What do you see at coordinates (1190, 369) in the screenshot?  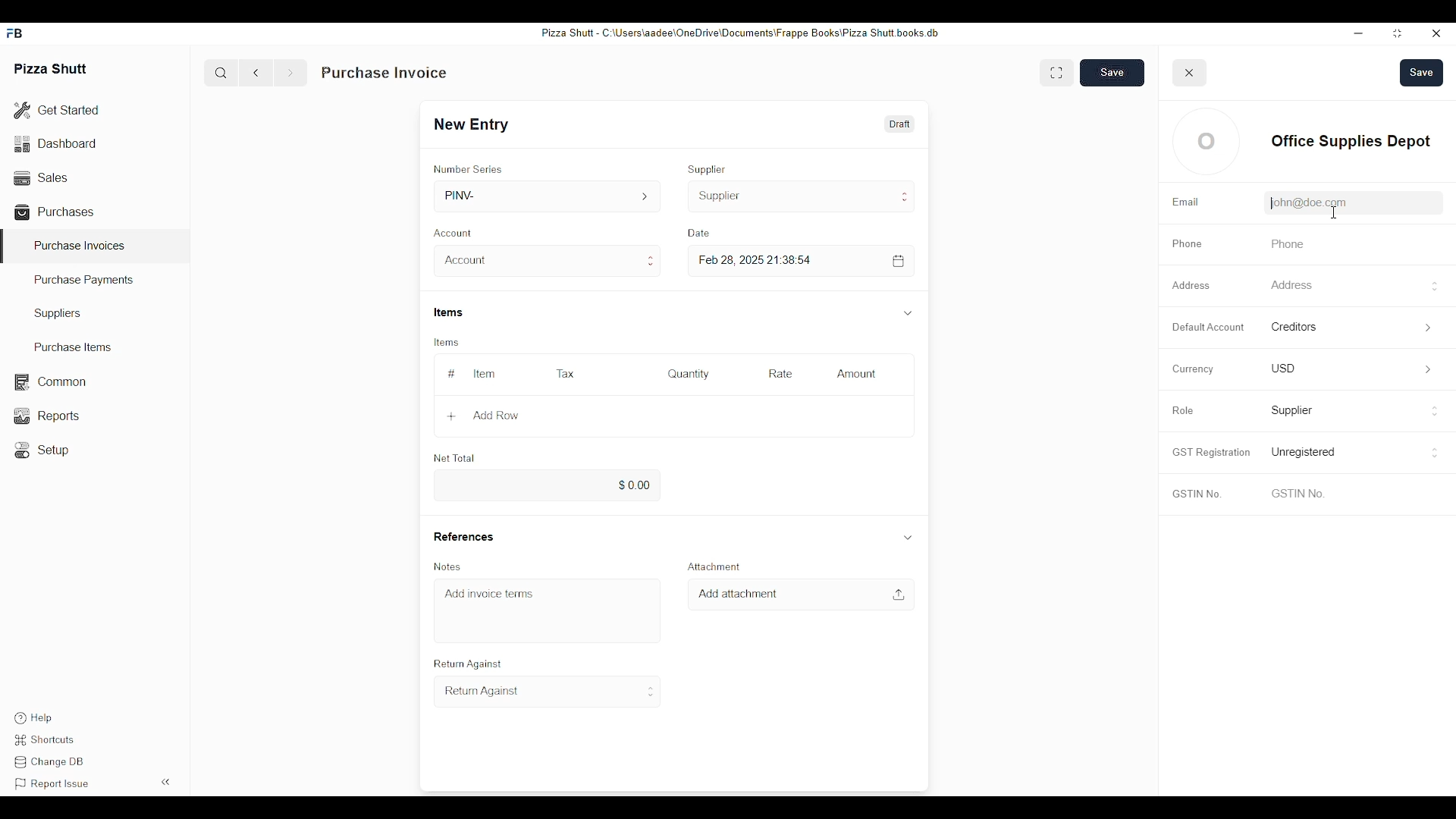 I see `Currency` at bounding box center [1190, 369].